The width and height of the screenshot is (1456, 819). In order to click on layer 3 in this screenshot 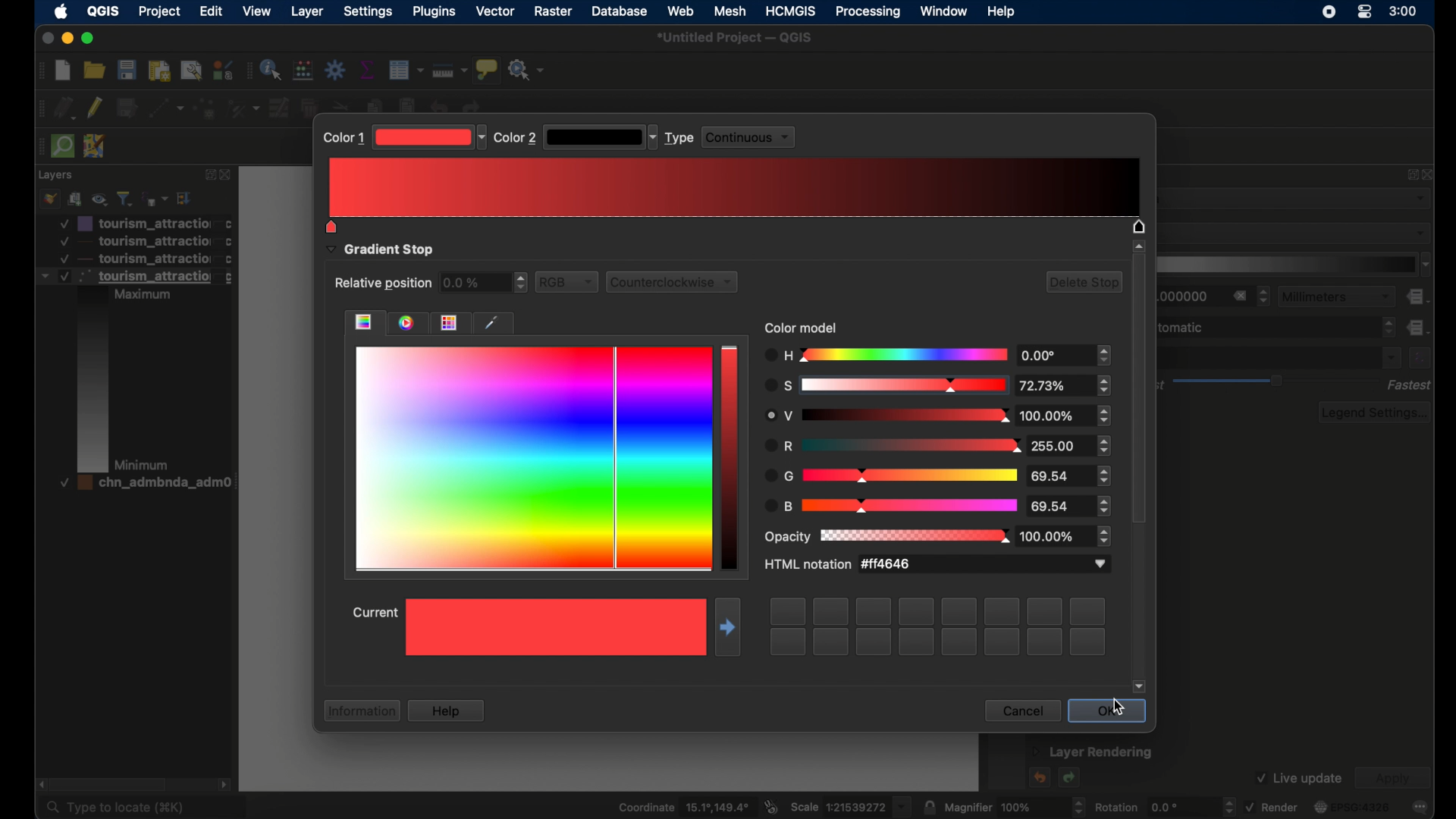, I will do `click(136, 259)`.